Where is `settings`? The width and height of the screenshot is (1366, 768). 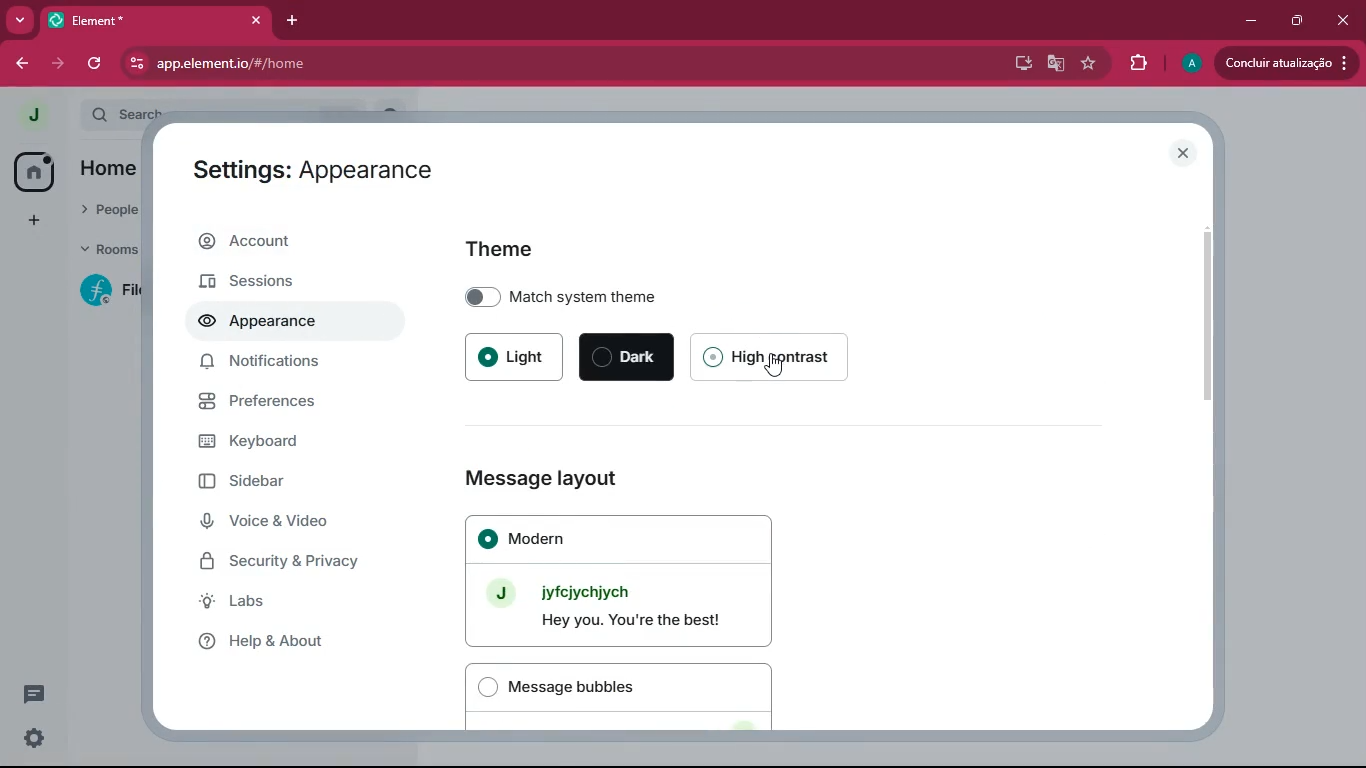 settings is located at coordinates (35, 738).